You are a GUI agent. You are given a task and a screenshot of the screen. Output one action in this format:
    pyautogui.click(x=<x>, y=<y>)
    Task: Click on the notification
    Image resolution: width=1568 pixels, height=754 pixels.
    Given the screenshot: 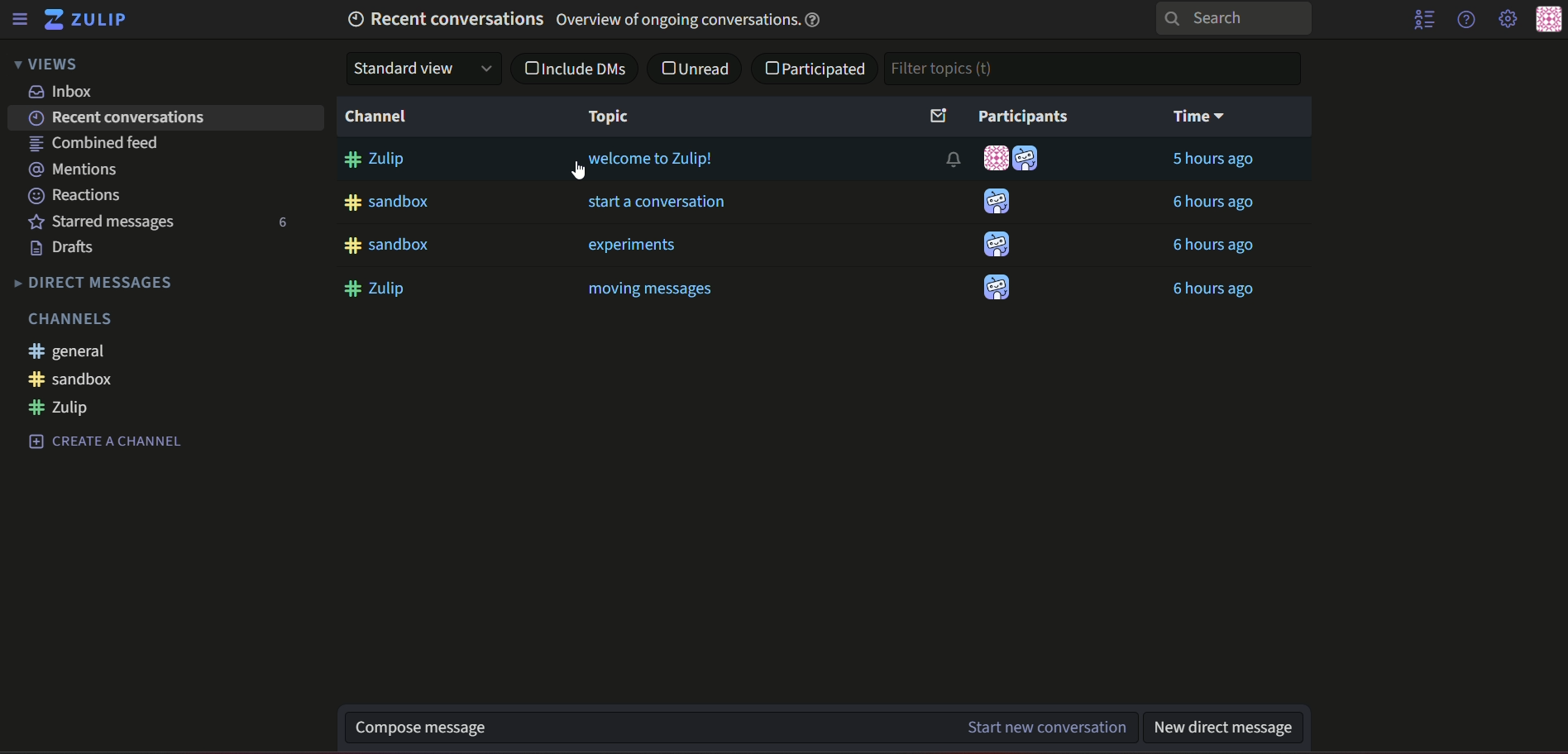 What is the action you would take?
    pyautogui.click(x=948, y=160)
    